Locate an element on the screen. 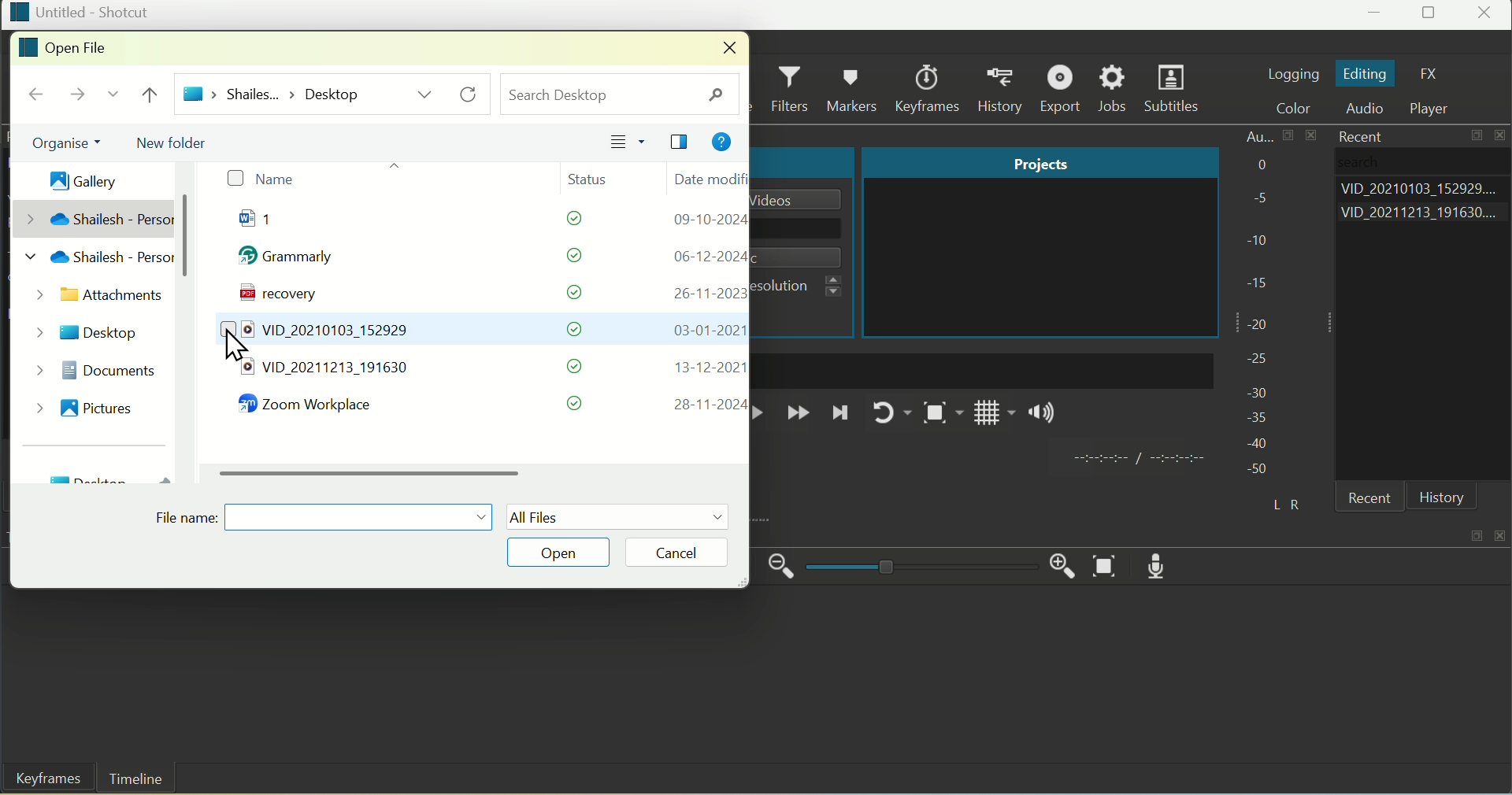  Tile is located at coordinates (682, 143).